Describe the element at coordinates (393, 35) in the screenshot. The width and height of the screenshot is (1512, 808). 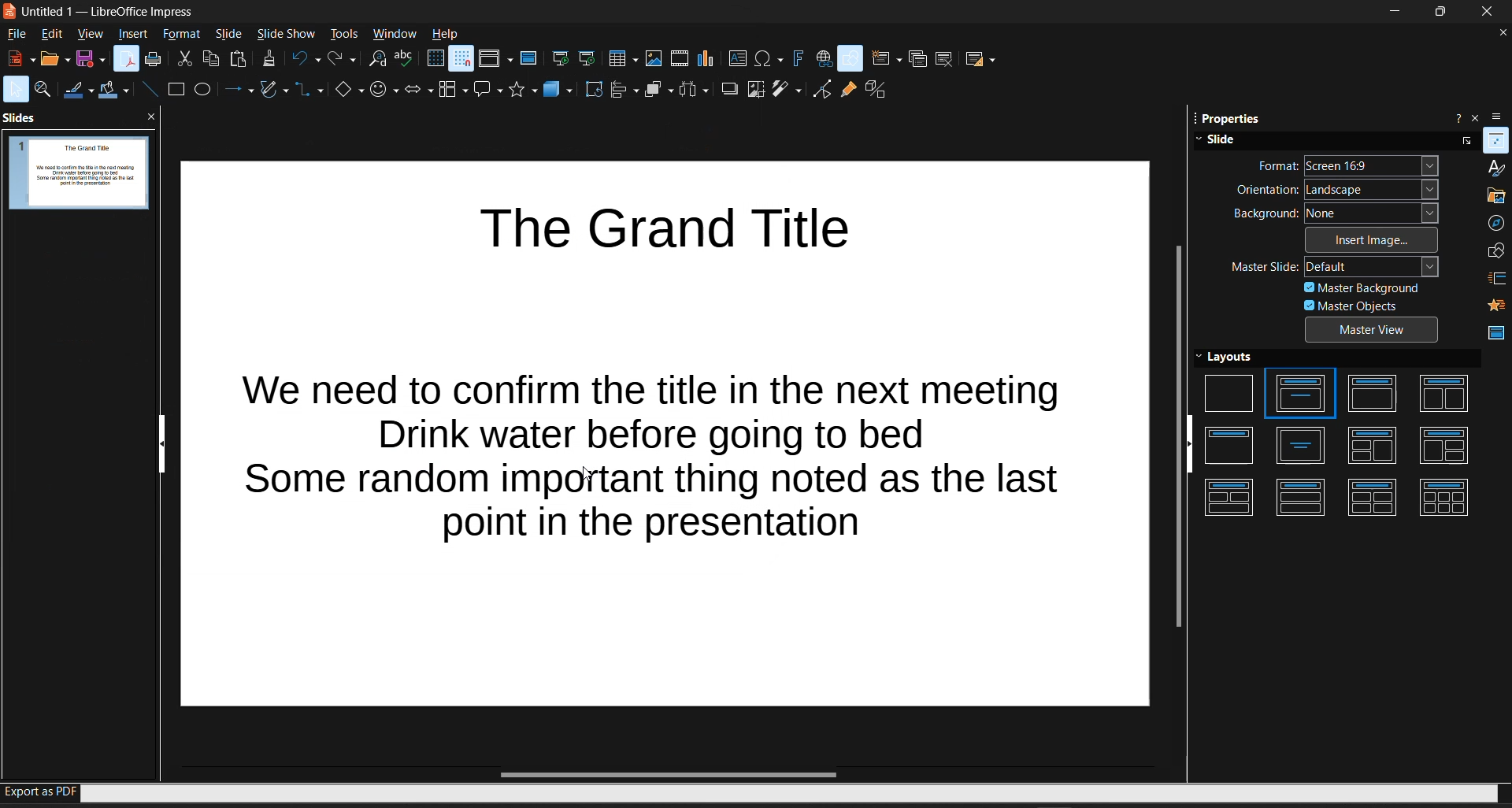
I see `window` at that location.